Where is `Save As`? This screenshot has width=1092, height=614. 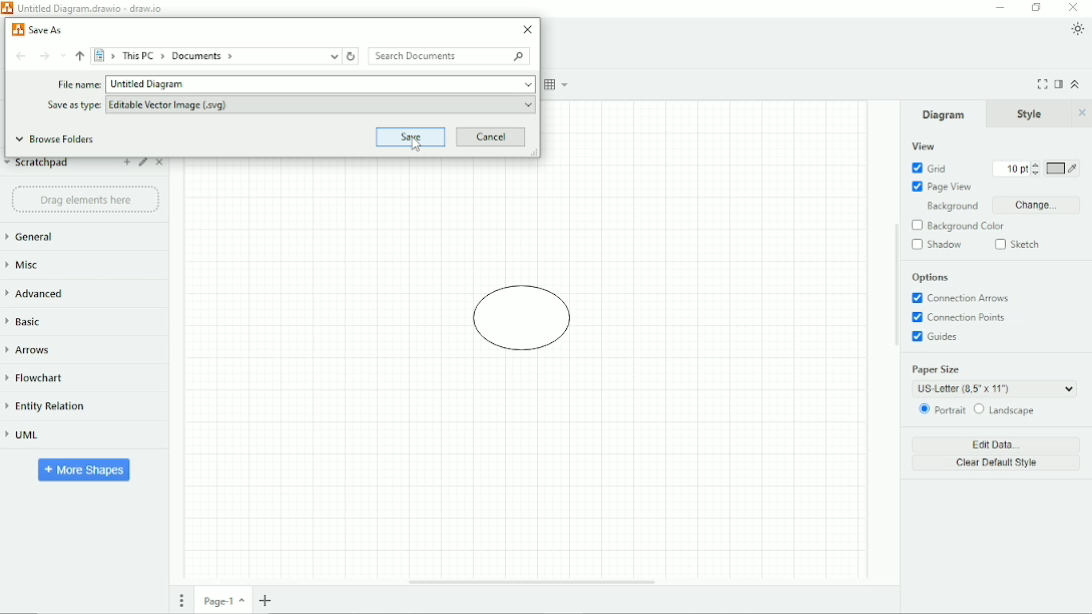 Save As is located at coordinates (36, 29).